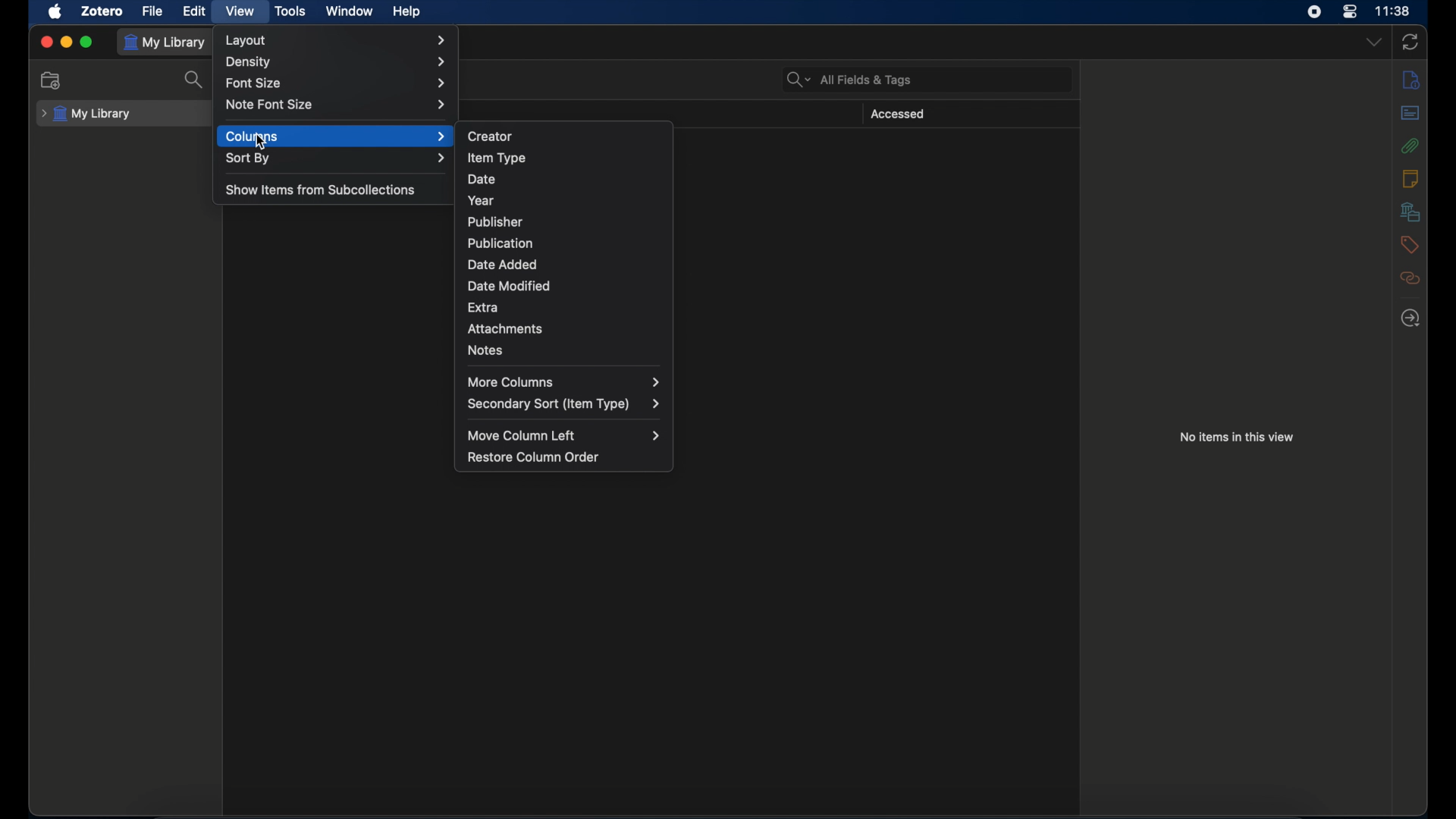  What do you see at coordinates (1410, 80) in the screenshot?
I see `info` at bounding box center [1410, 80].